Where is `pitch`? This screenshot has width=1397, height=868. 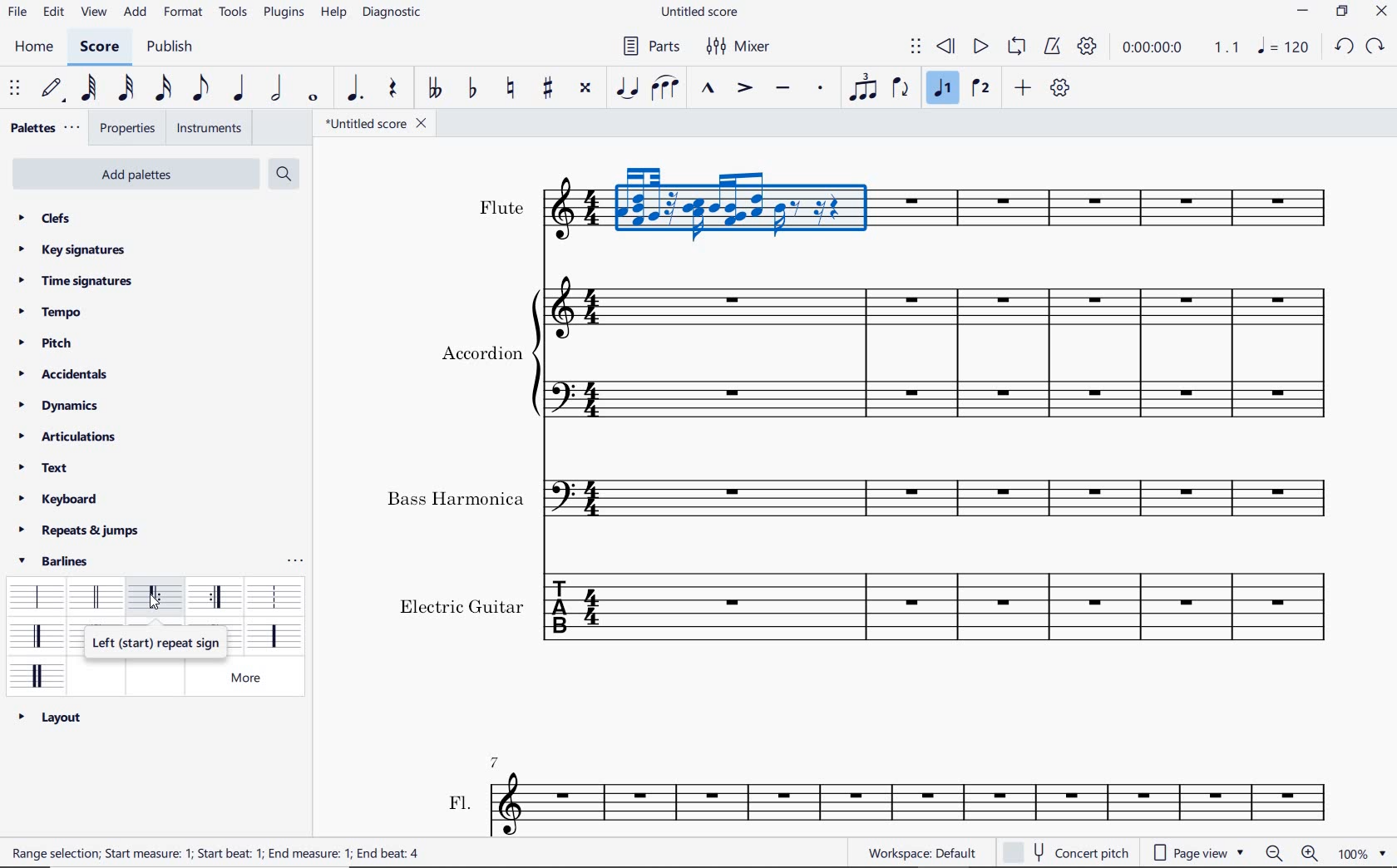
pitch is located at coordinates (43, 342).